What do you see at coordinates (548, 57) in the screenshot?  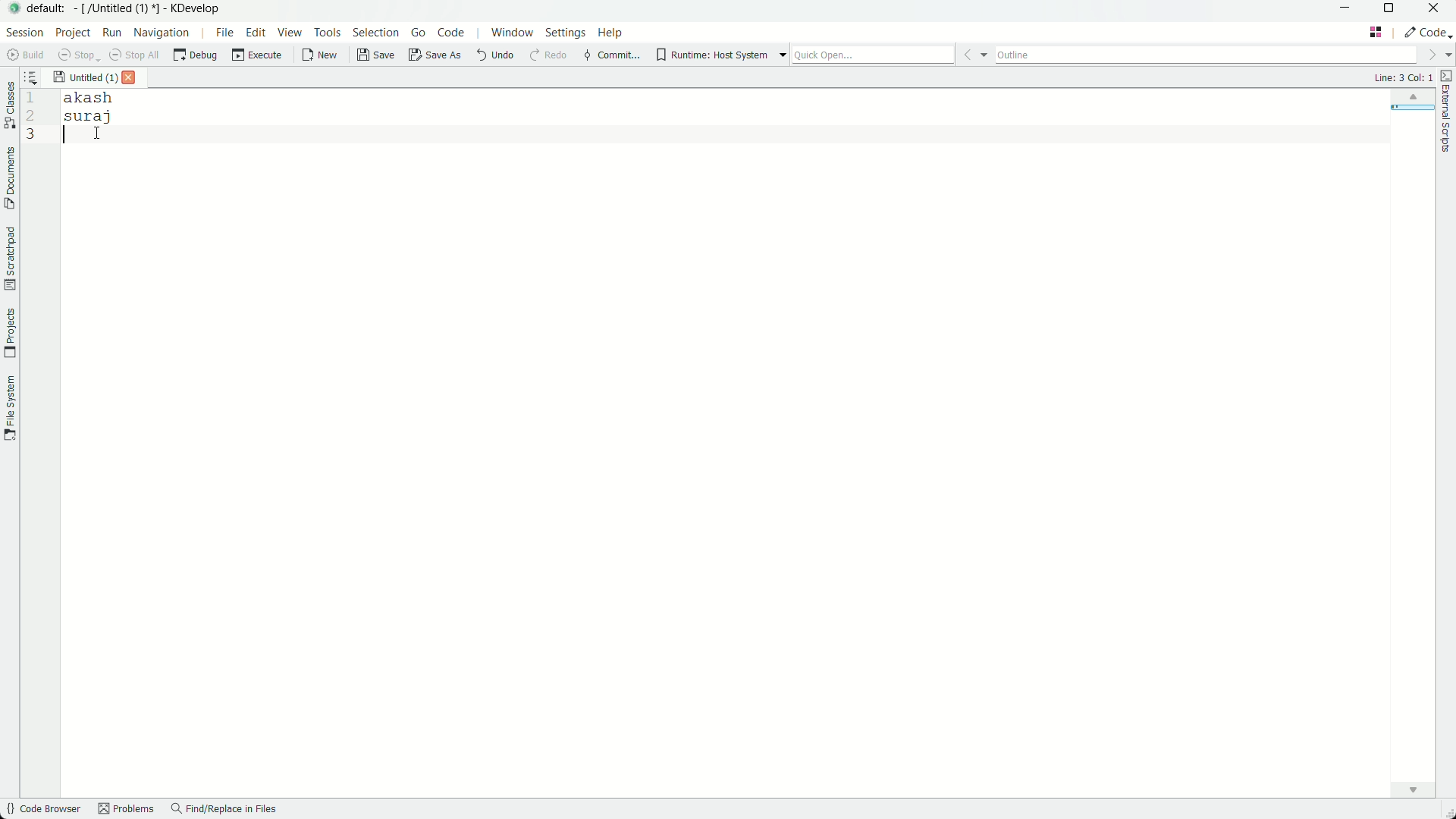 I see `redo` at bounding box center [548, 57].